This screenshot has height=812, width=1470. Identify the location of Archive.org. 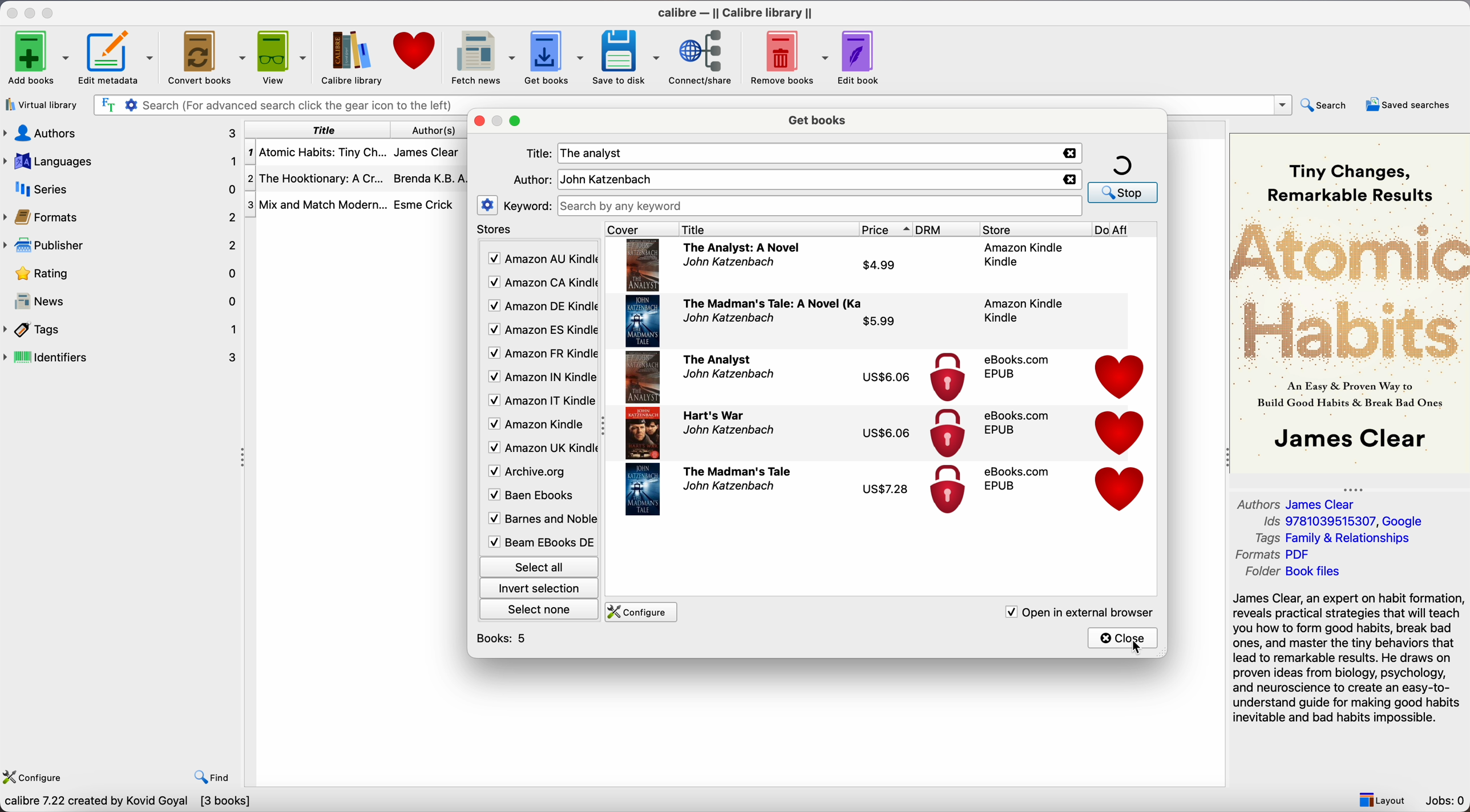
(538, 472).